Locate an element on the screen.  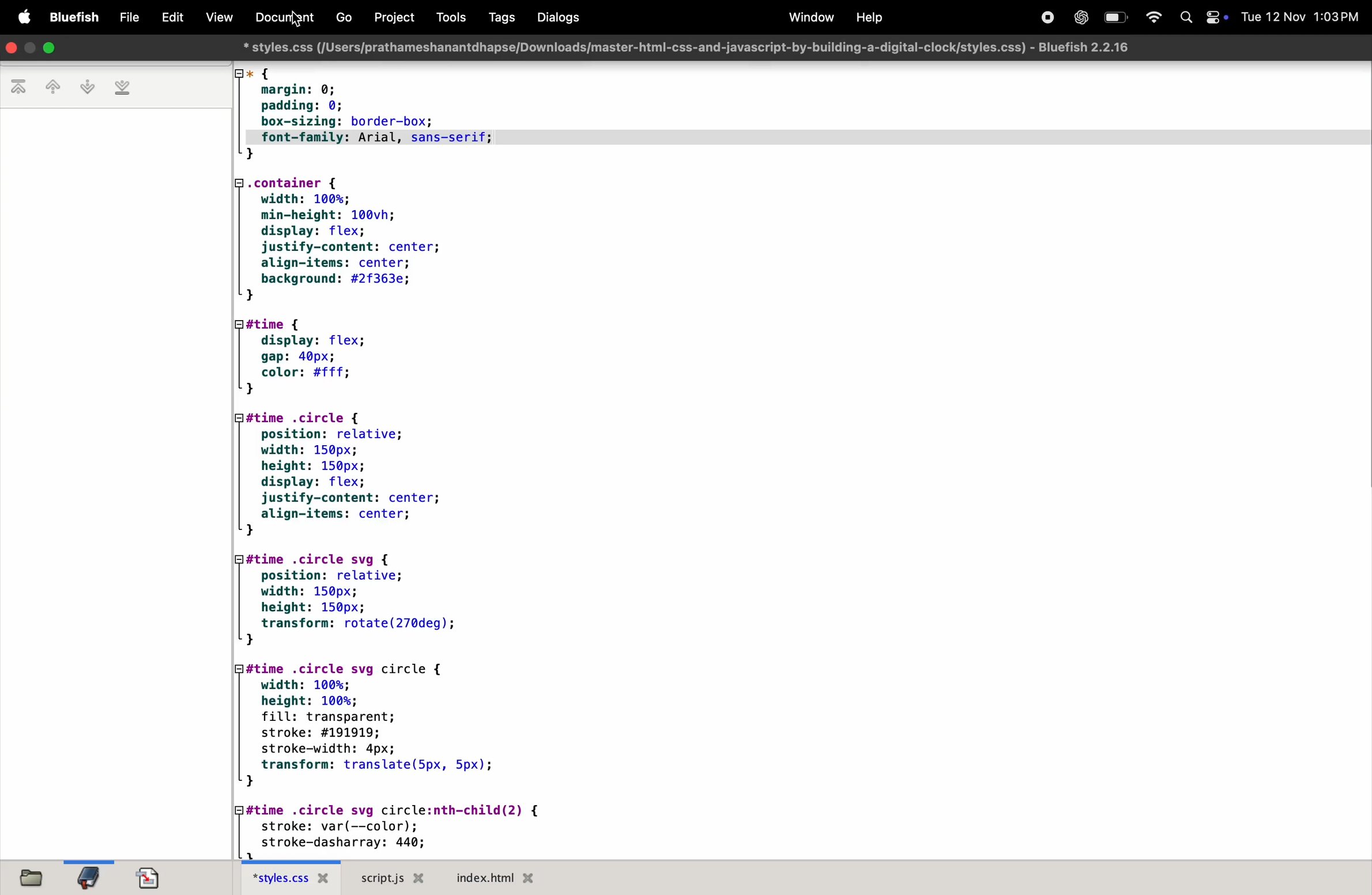
Go is located at coordinates (348, 17).